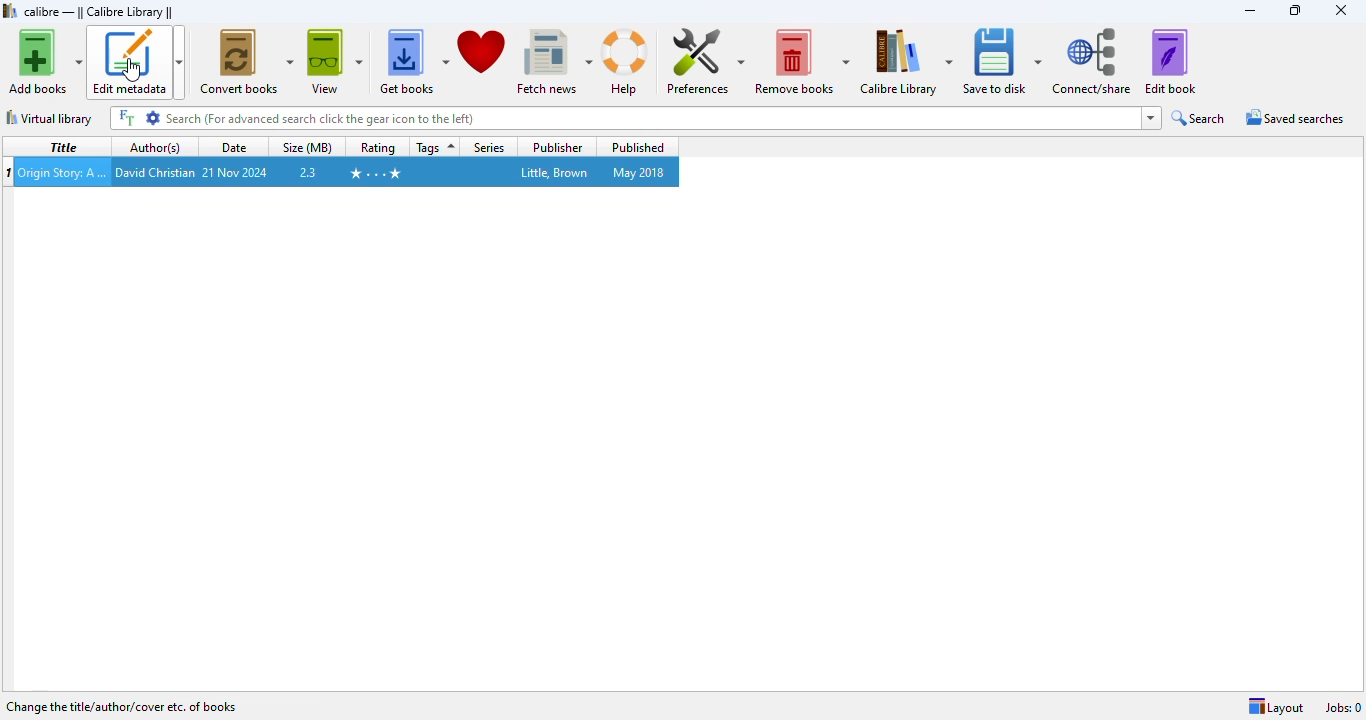  I want to click on virtual library, so click(49, 117).